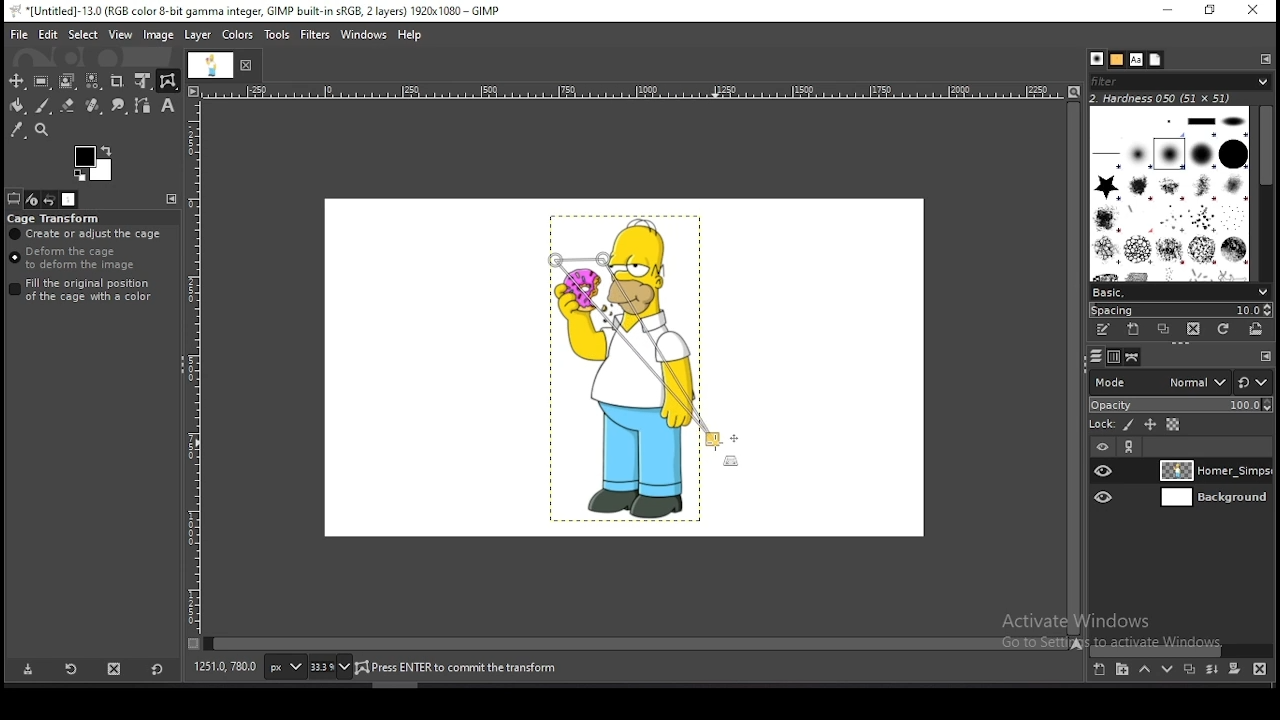  What do you see at coordinates (28, 670) in the screenshot?
I see `save tool preset` at bounding box center [28, 670].